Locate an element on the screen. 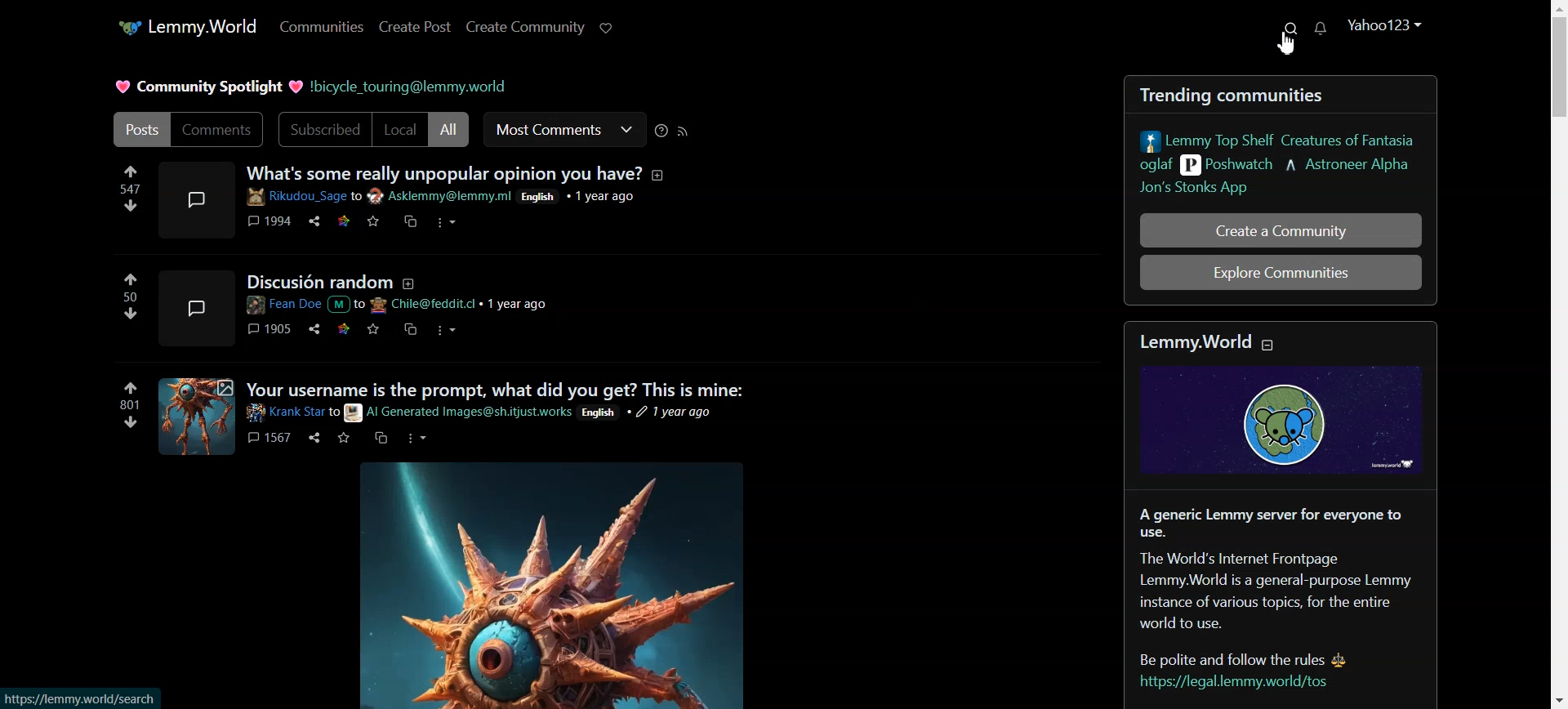 This screenshot has width=1568, height=709. AI generated image is located at coordinates (197, 415).